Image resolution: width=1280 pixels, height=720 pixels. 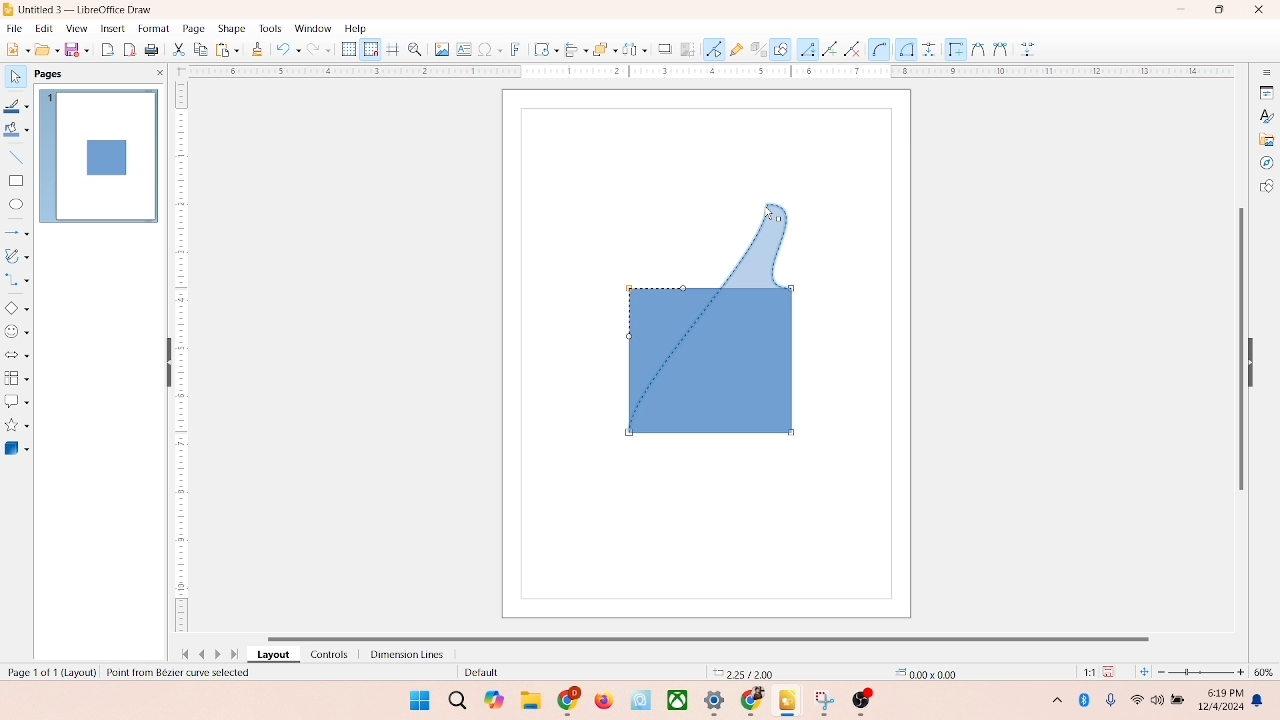 What do you see at coordinates (87, 8) in the screenshot?
I see `title` at bounding box center [87, 8].